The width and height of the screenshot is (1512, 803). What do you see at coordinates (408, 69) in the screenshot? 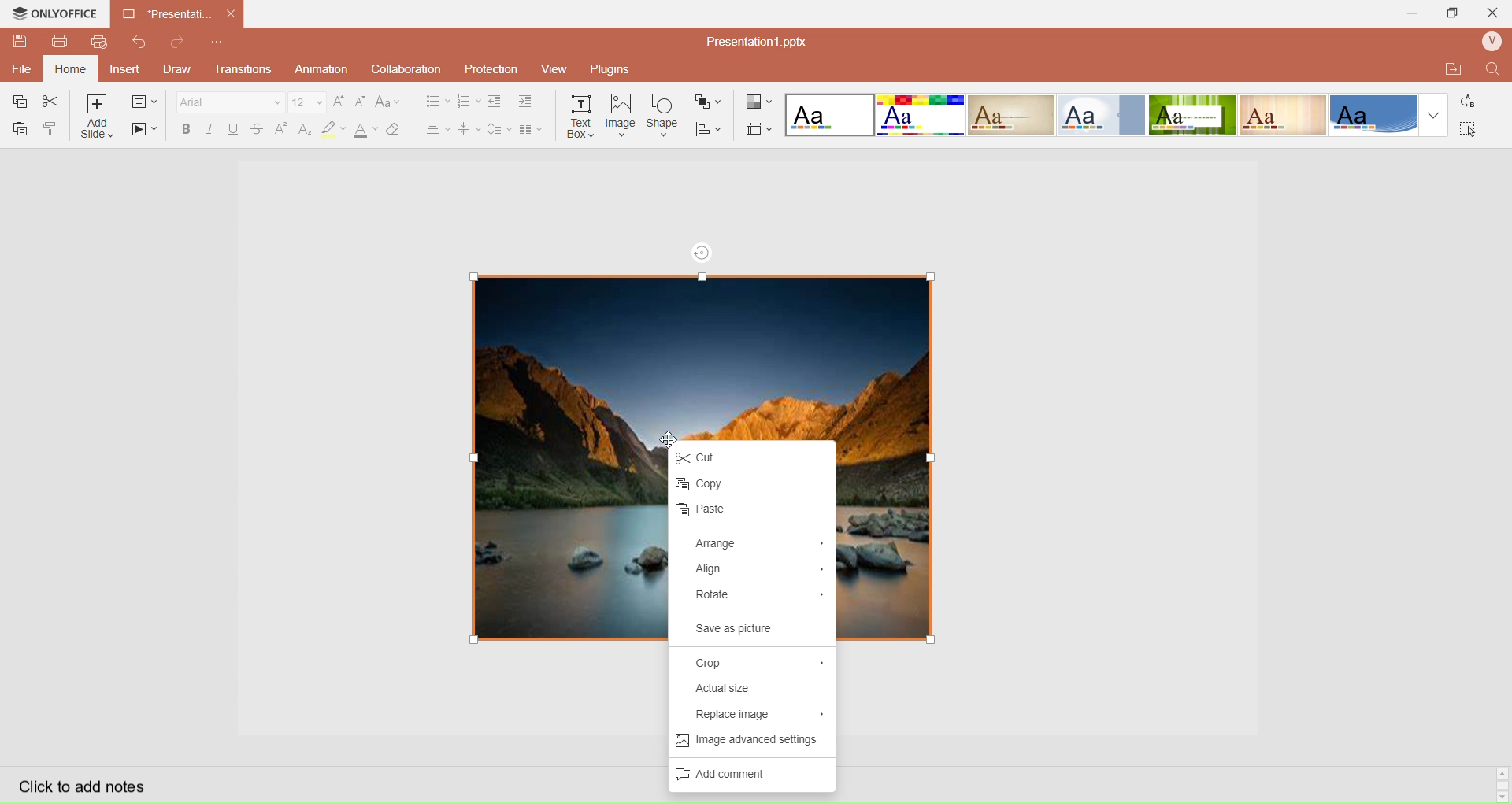
I see `Collaboration` at bounding box center [408, 69].